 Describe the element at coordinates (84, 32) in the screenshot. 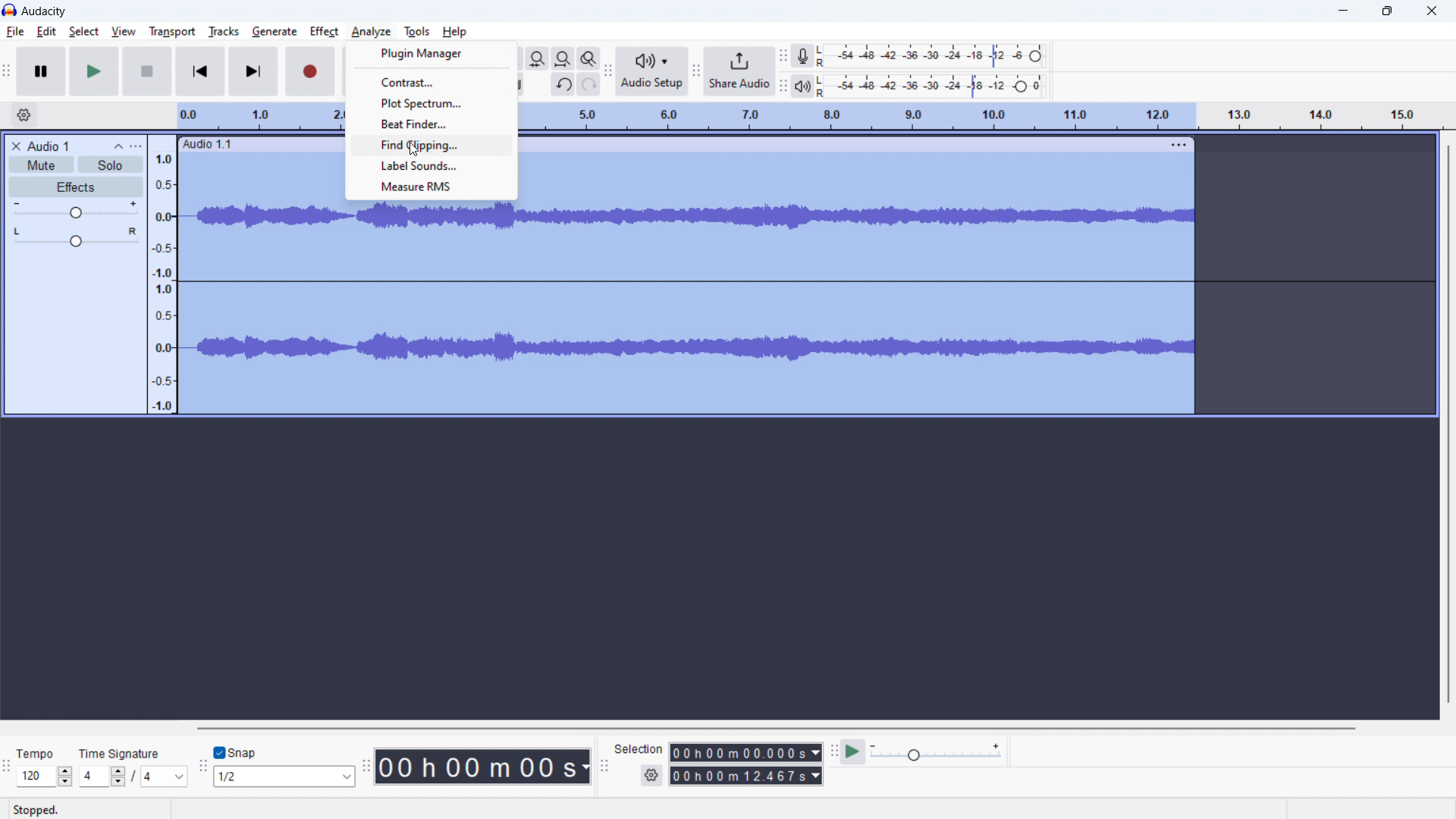

I see `select` at that location.